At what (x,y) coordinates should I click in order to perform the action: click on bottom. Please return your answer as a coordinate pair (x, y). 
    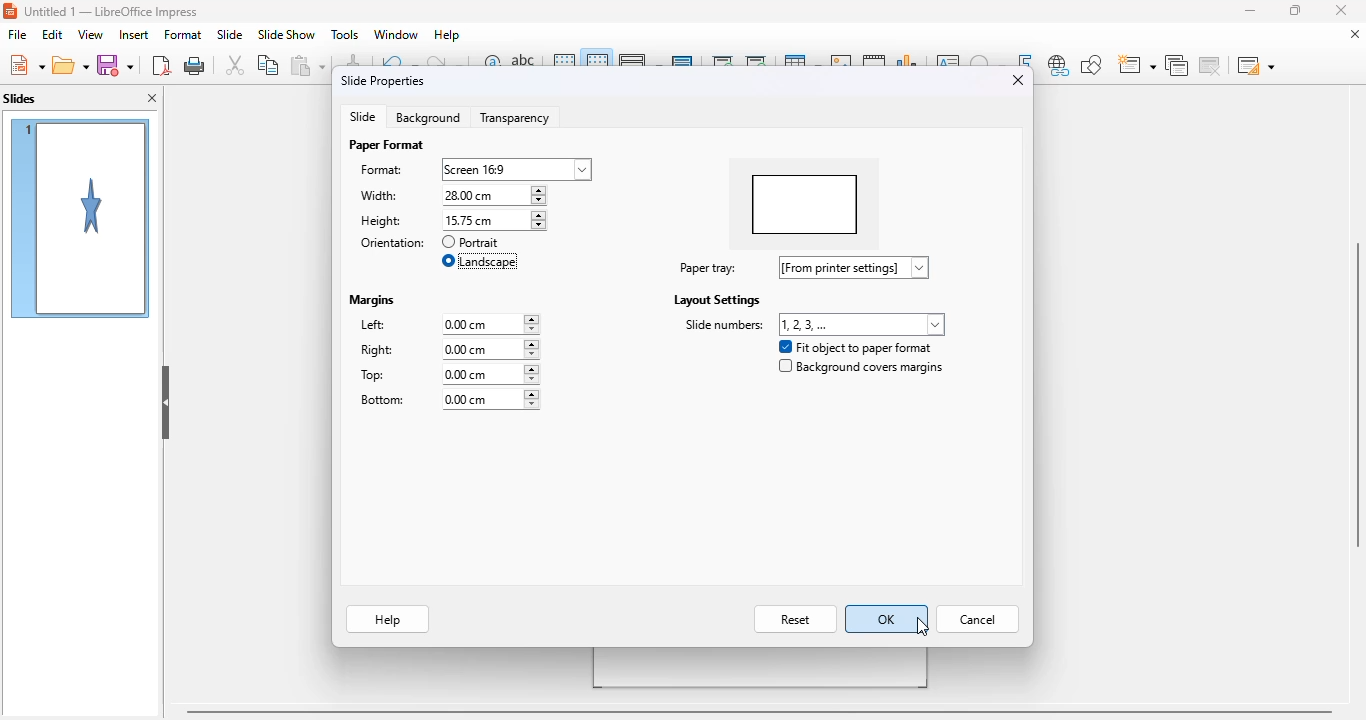
    Looking at the image, I should click on (381, 401).